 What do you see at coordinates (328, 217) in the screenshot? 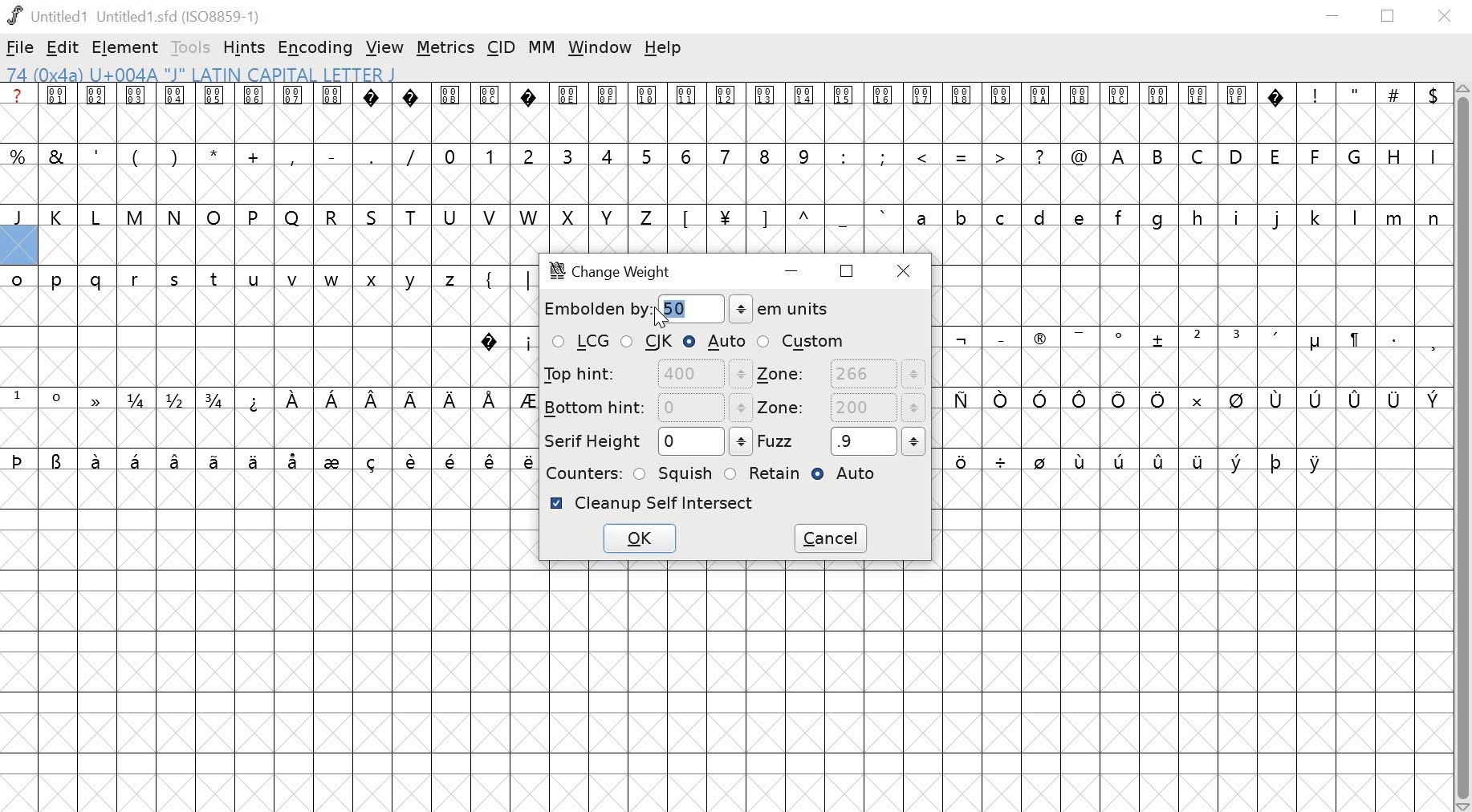
I see `uppercase letters` at bounding box center [328, 217].